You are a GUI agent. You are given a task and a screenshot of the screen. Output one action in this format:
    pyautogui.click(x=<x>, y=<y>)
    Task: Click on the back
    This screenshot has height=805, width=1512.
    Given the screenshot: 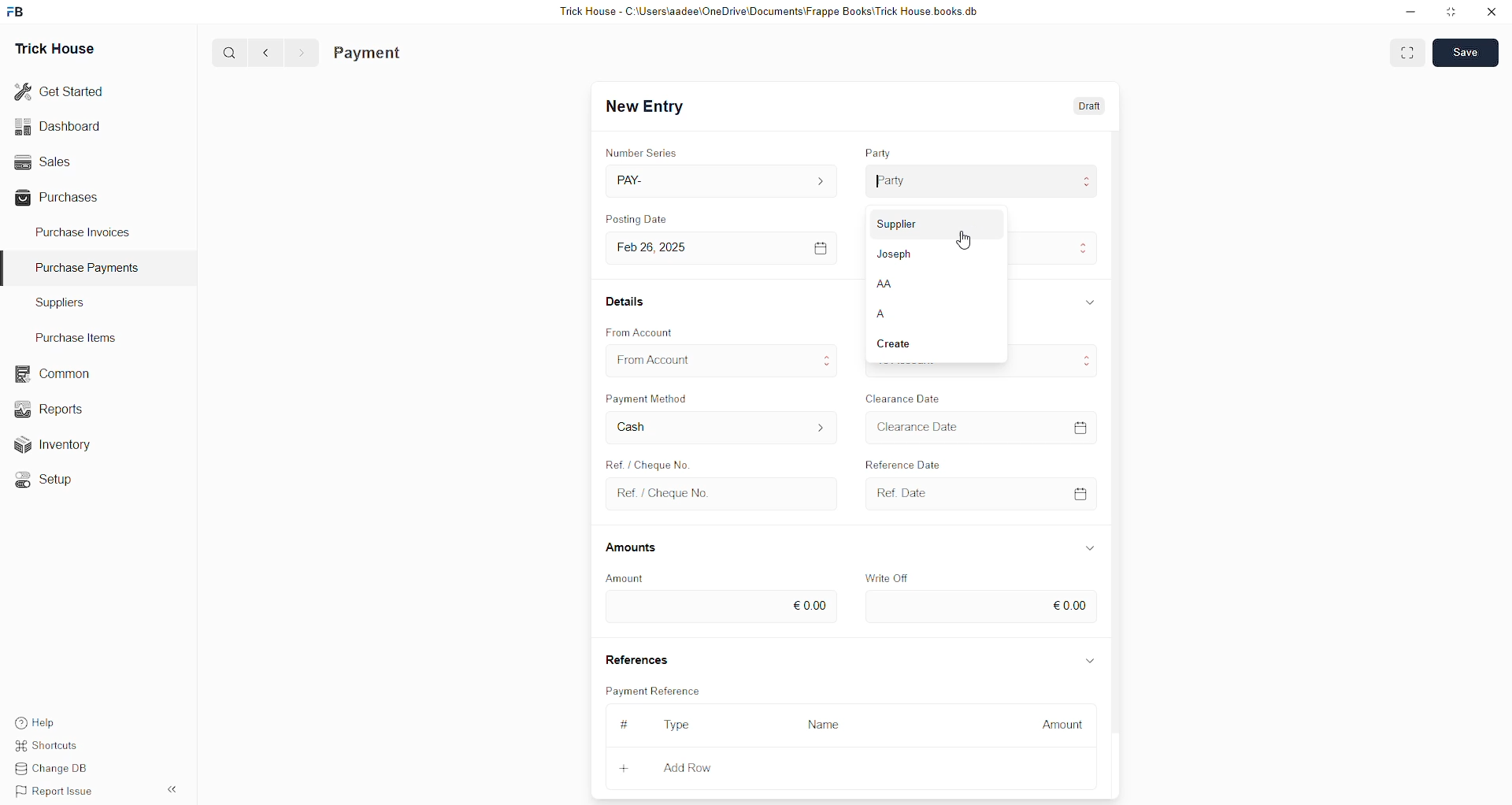 What is the action you would take?
    pyautogui.click(x=267, y=52)
    